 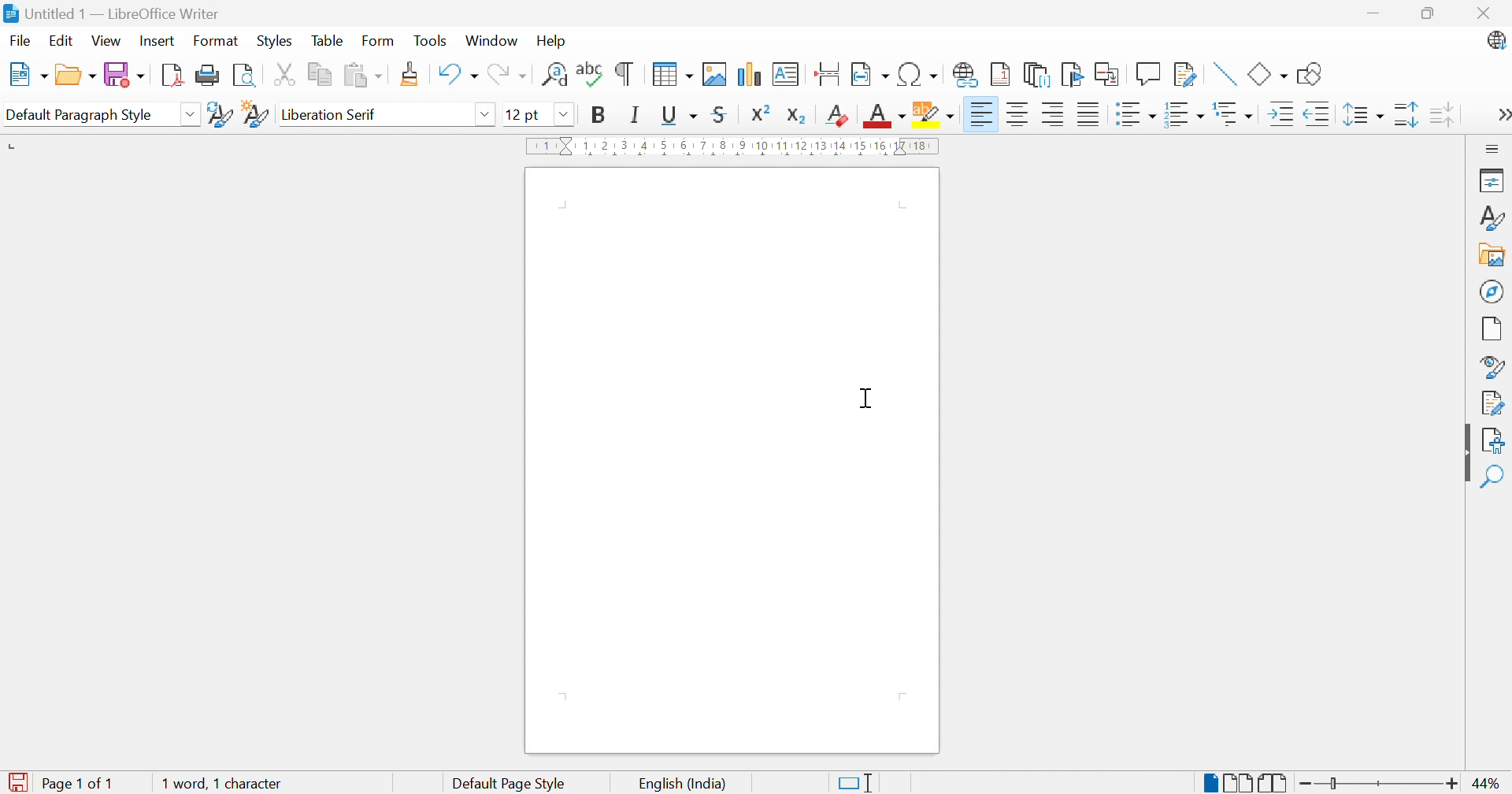 I want to click on Styles, so click(x=274, y=40).